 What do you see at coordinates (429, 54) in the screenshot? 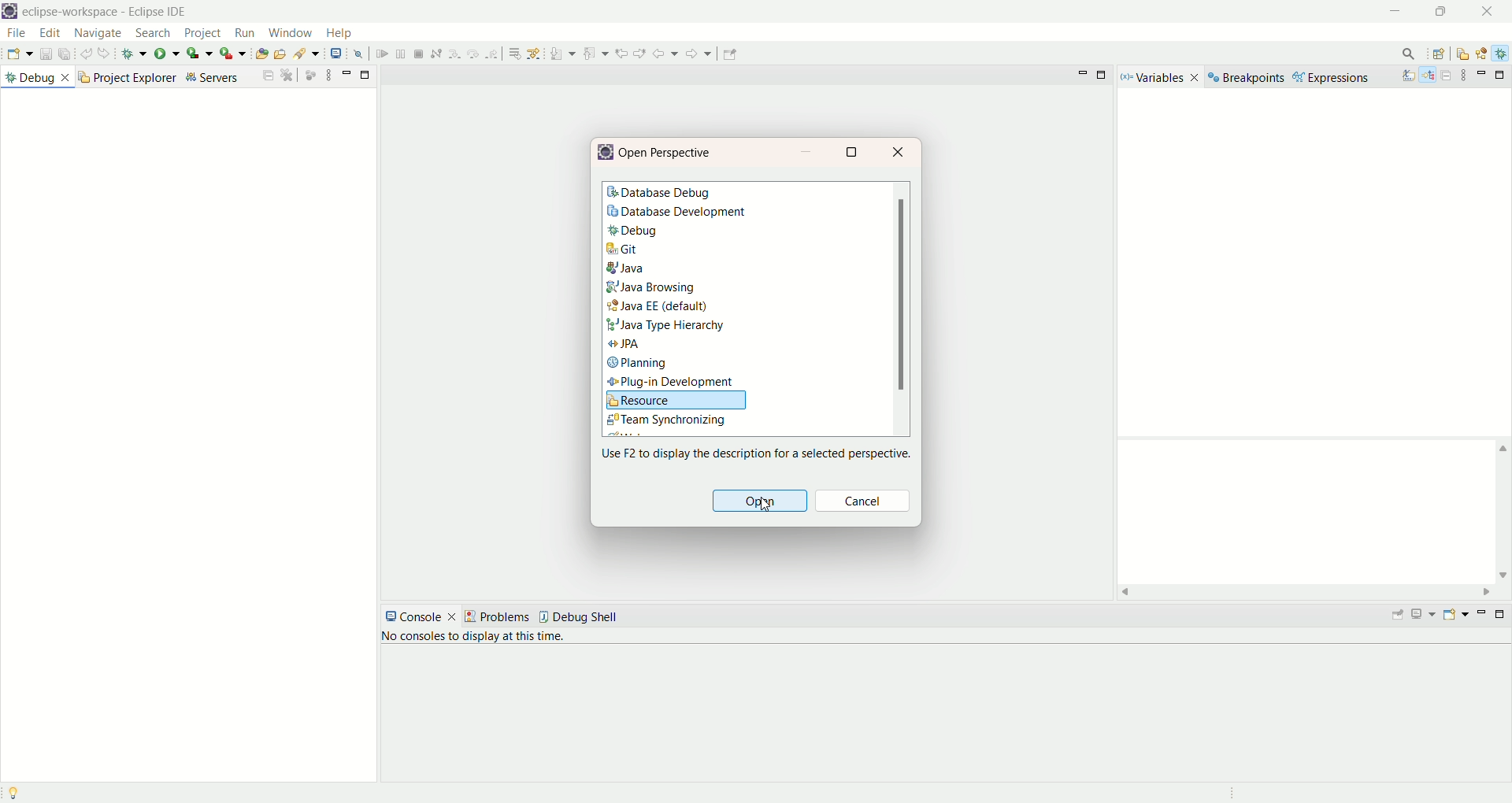
I see `launch web service explorer` at bounding box center [429, 54].